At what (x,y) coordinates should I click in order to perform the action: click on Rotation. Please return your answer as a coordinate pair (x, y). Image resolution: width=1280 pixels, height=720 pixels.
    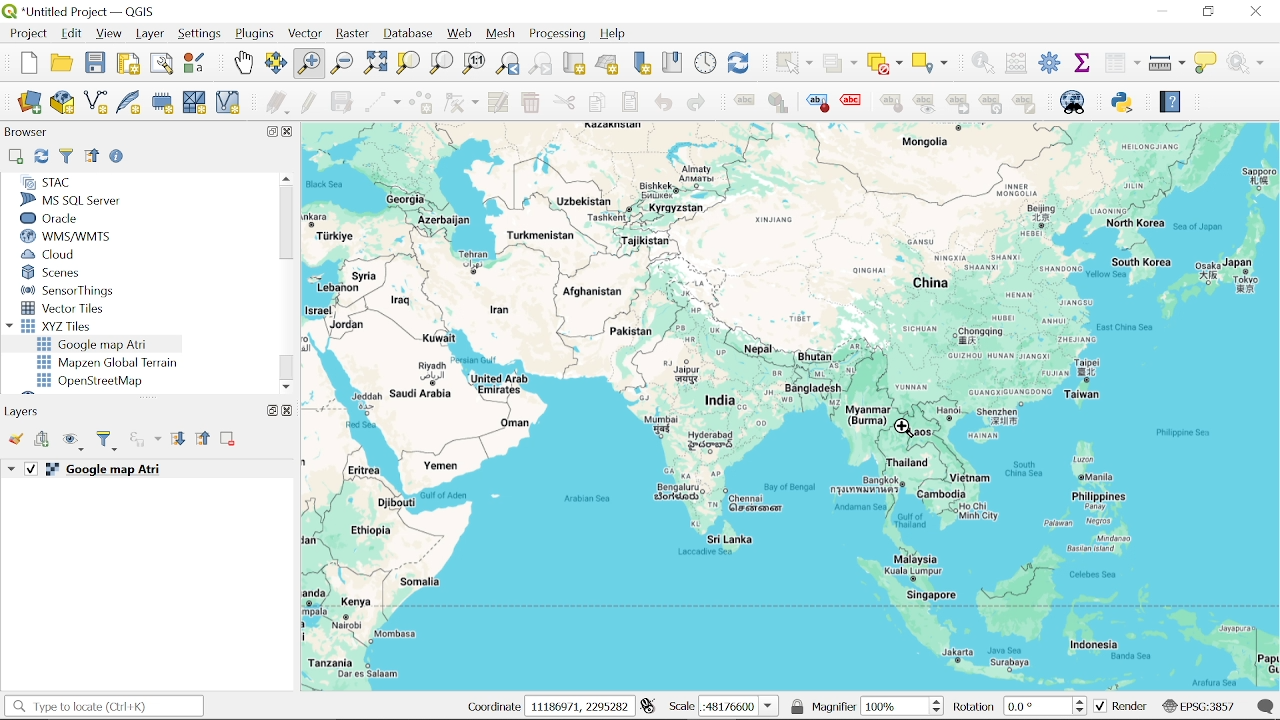
    Looking at the image, I should click on (1039, 706).